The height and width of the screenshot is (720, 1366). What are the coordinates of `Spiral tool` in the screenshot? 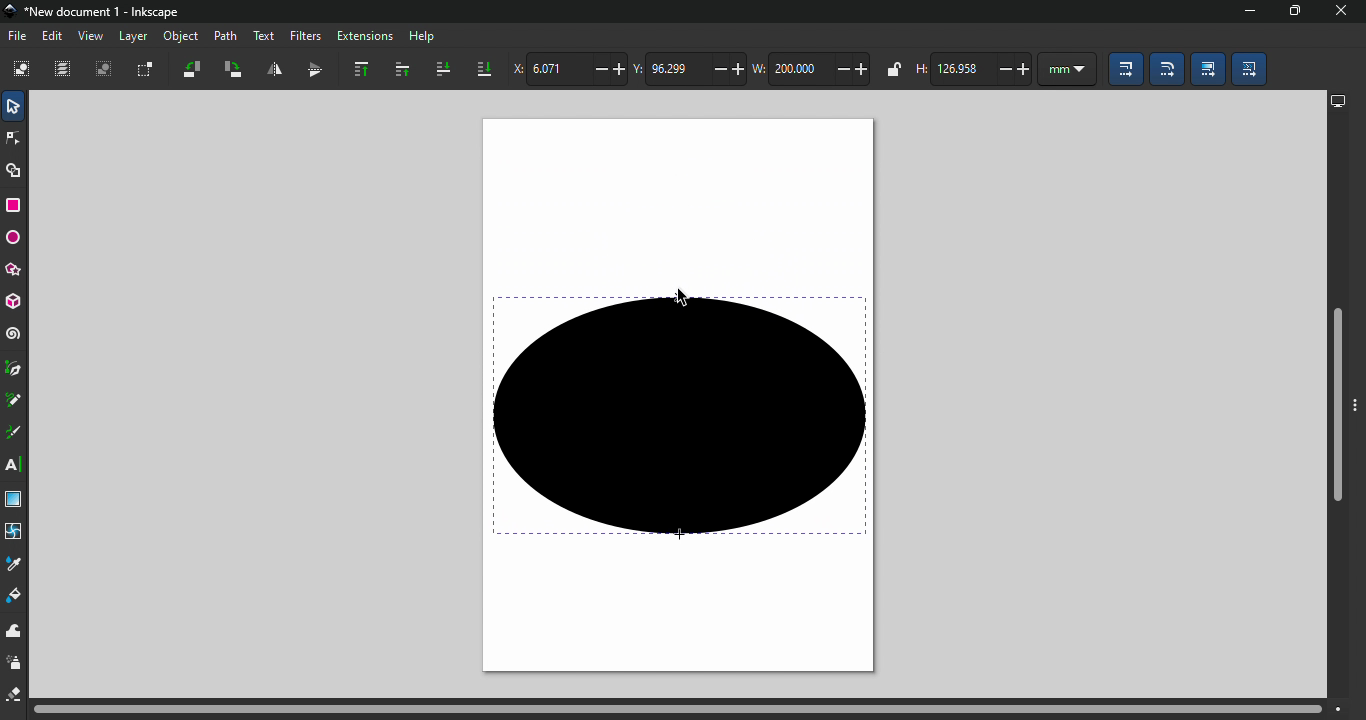 It's located at (15, 334).